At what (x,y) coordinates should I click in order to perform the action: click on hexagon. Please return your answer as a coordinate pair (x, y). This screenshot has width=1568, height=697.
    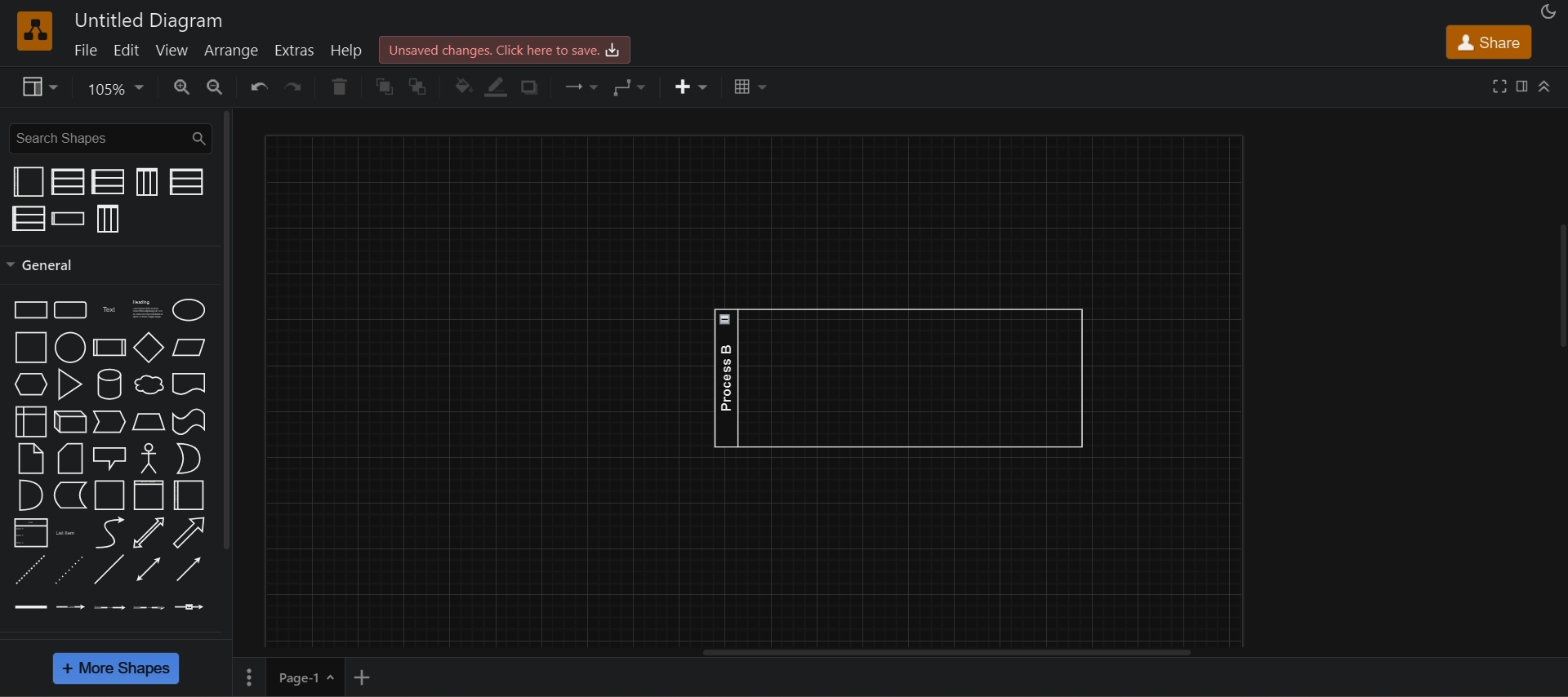
    Looking at the image, I should click on (31, 384).